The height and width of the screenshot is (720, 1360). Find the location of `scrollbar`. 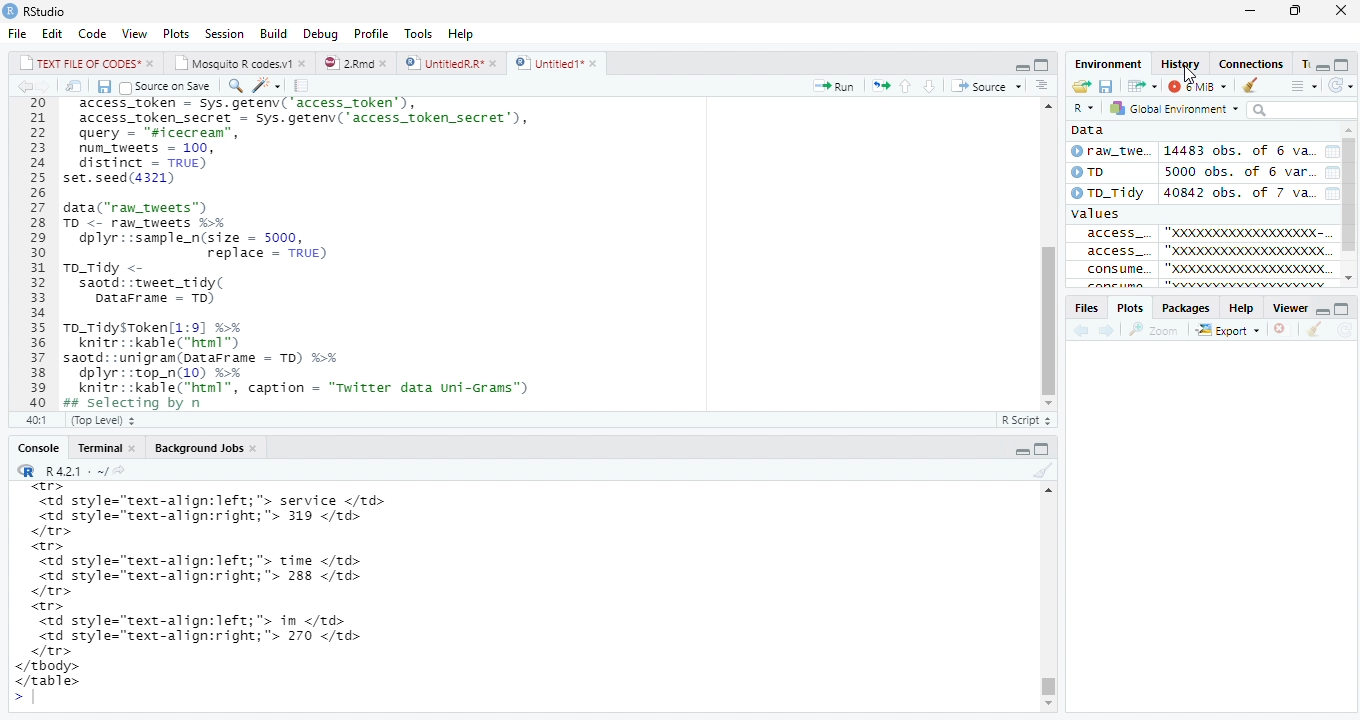

scrollbar is located at coordinates (1047, 250).